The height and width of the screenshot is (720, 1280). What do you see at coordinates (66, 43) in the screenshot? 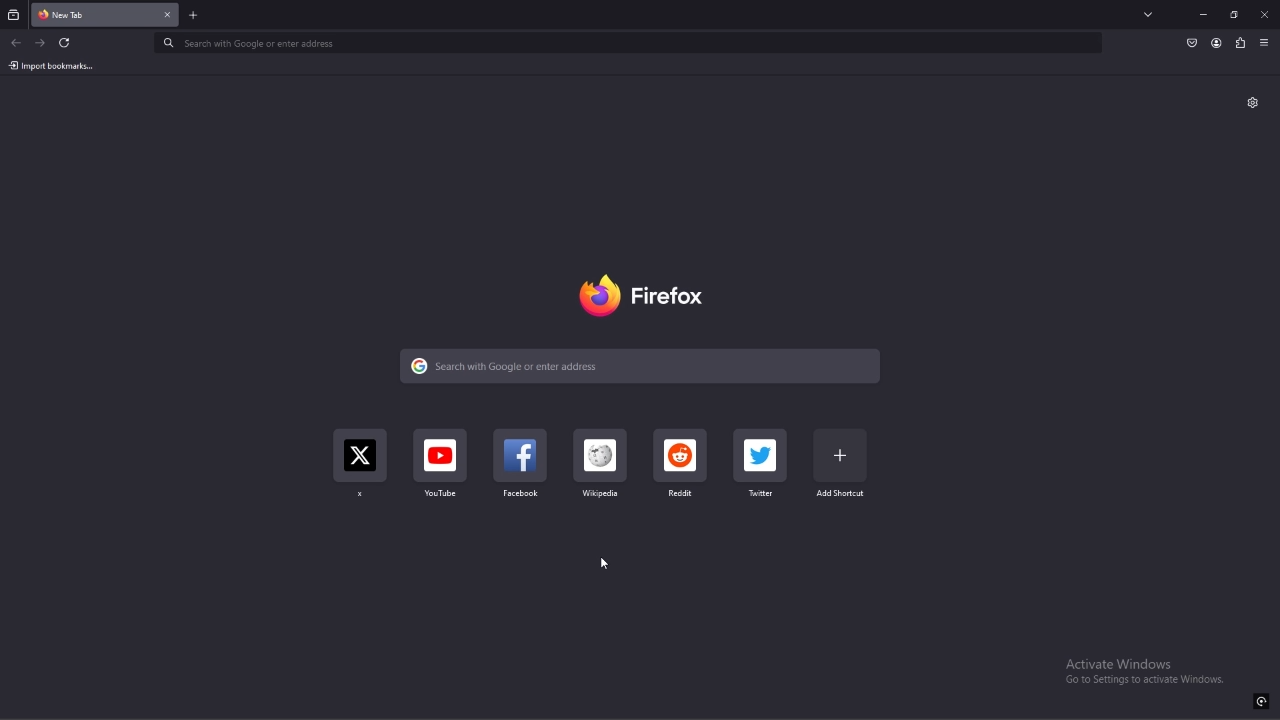
I see `refresh` at bounding box center [66, 43].